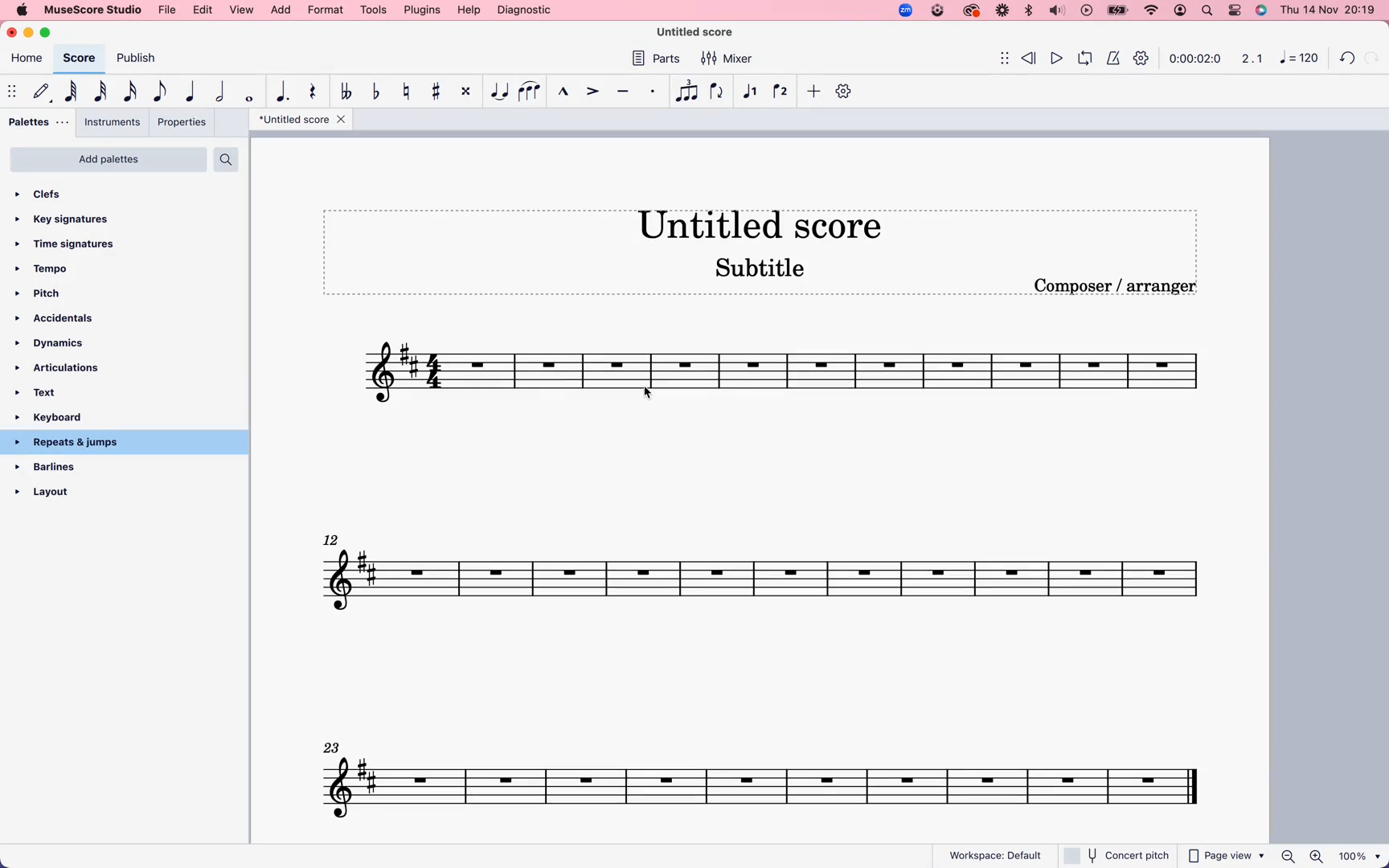 The height and width of the screenshot is (868, 1389). Describe the element at coordinates (301, 120) in the screenshot. I see `score name` at that location.